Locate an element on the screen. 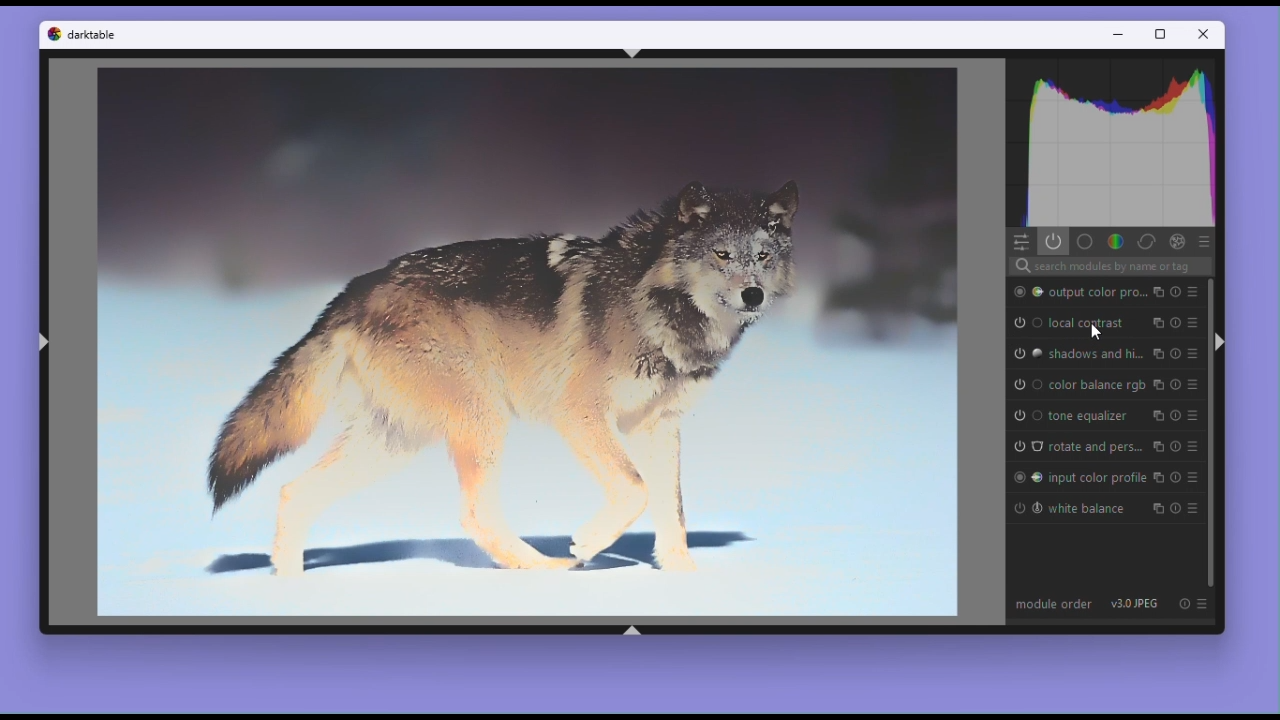 Image resolution: width=1280 pixels, height=720 pixels. Multiple instance is located at coordinates (1156, 320).